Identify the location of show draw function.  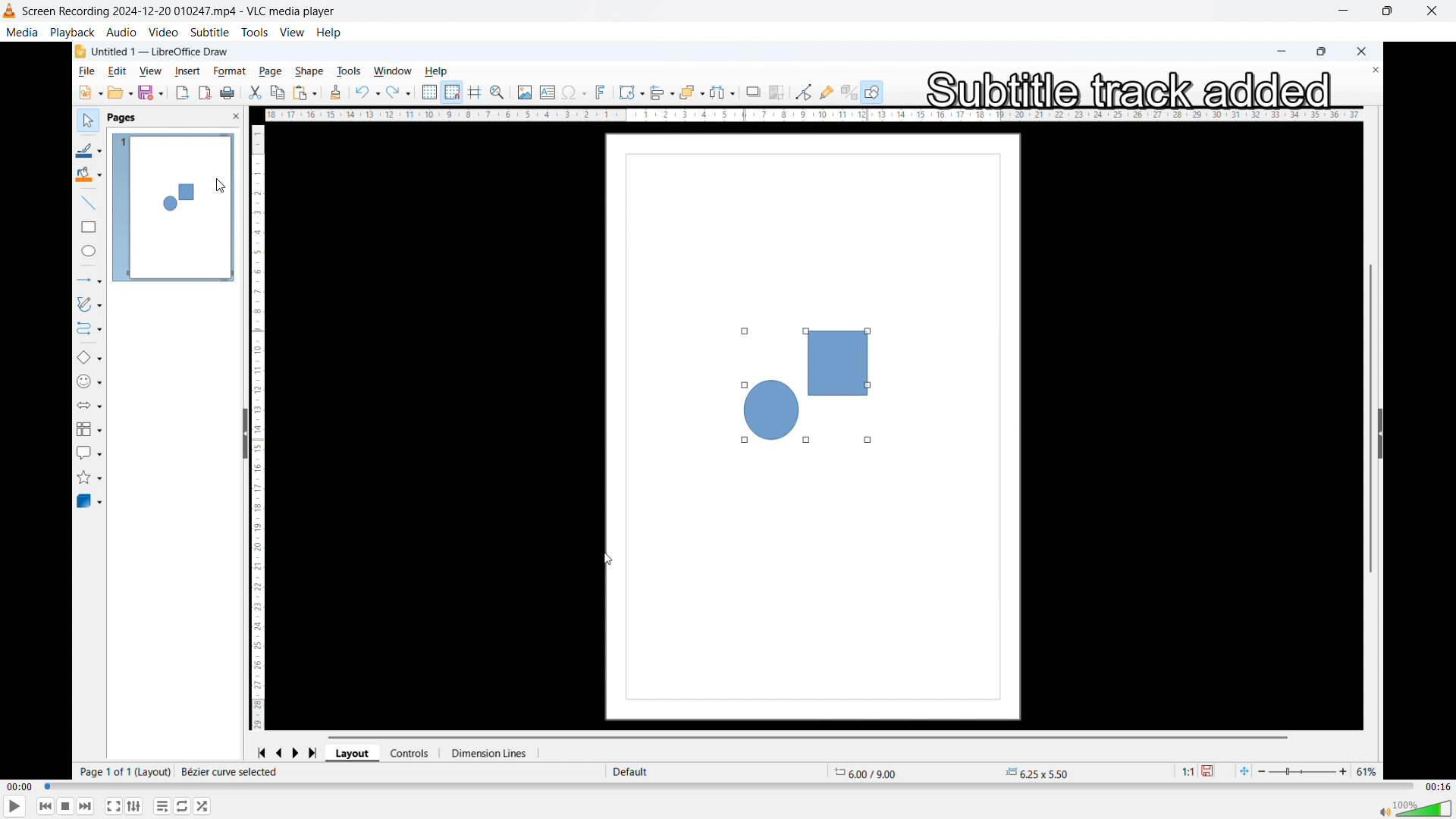
(872, 91).